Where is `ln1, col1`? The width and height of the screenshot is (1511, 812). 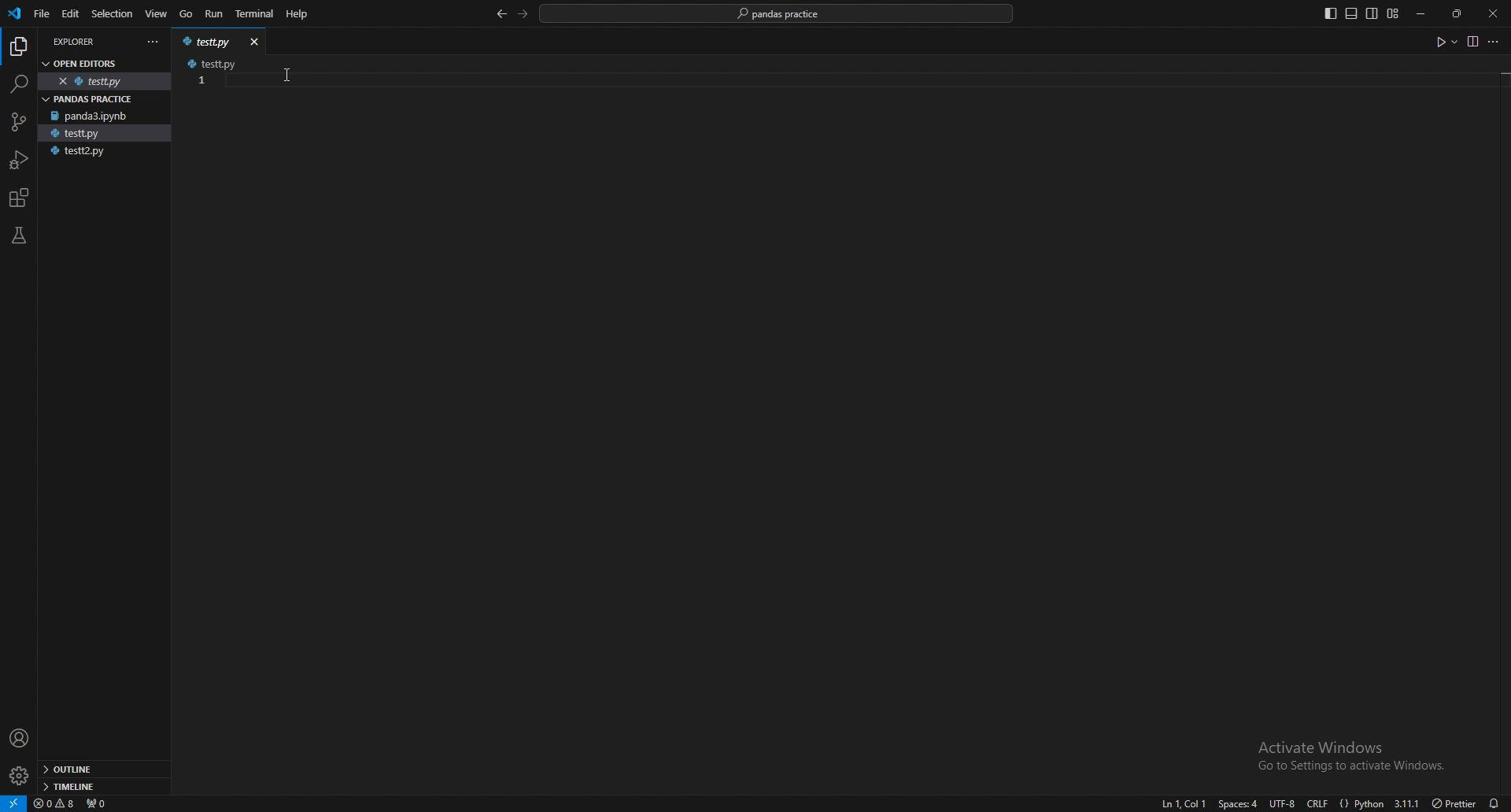 ln1, col1 is located at coordinates (1177, 804).